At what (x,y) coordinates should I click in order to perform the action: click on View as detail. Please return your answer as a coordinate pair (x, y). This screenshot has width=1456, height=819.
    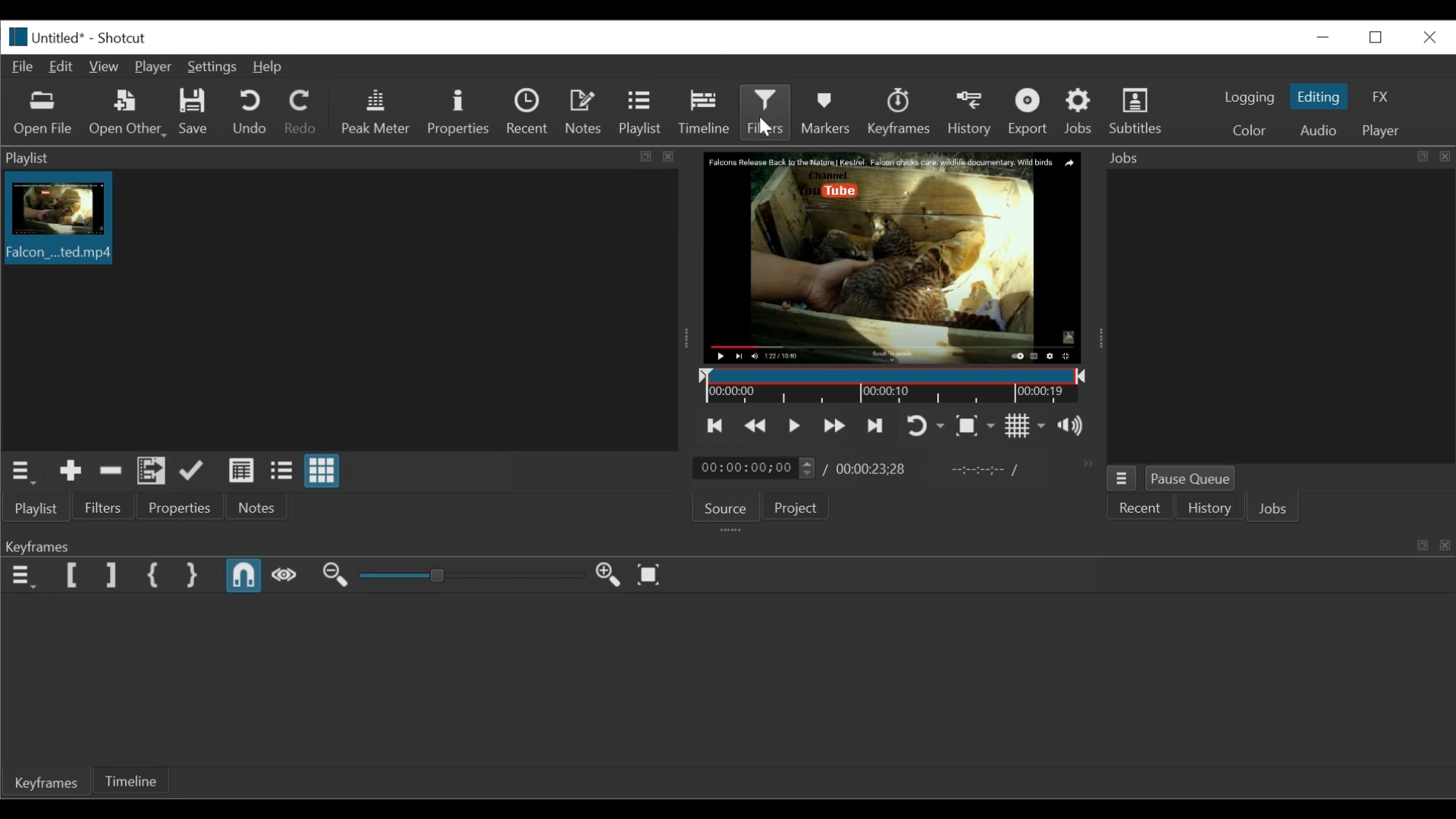
    Looking at the image, I should click on (243, 471).